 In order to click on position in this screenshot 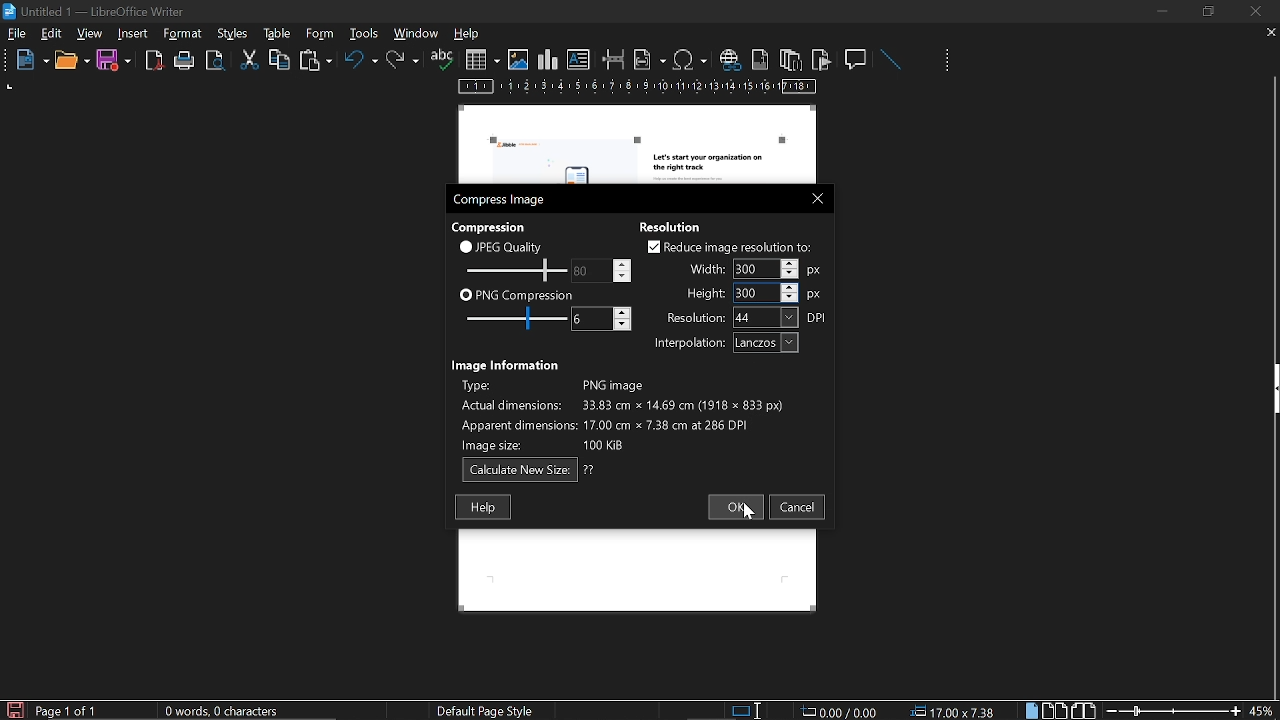, I will do `click(956, 711)`.